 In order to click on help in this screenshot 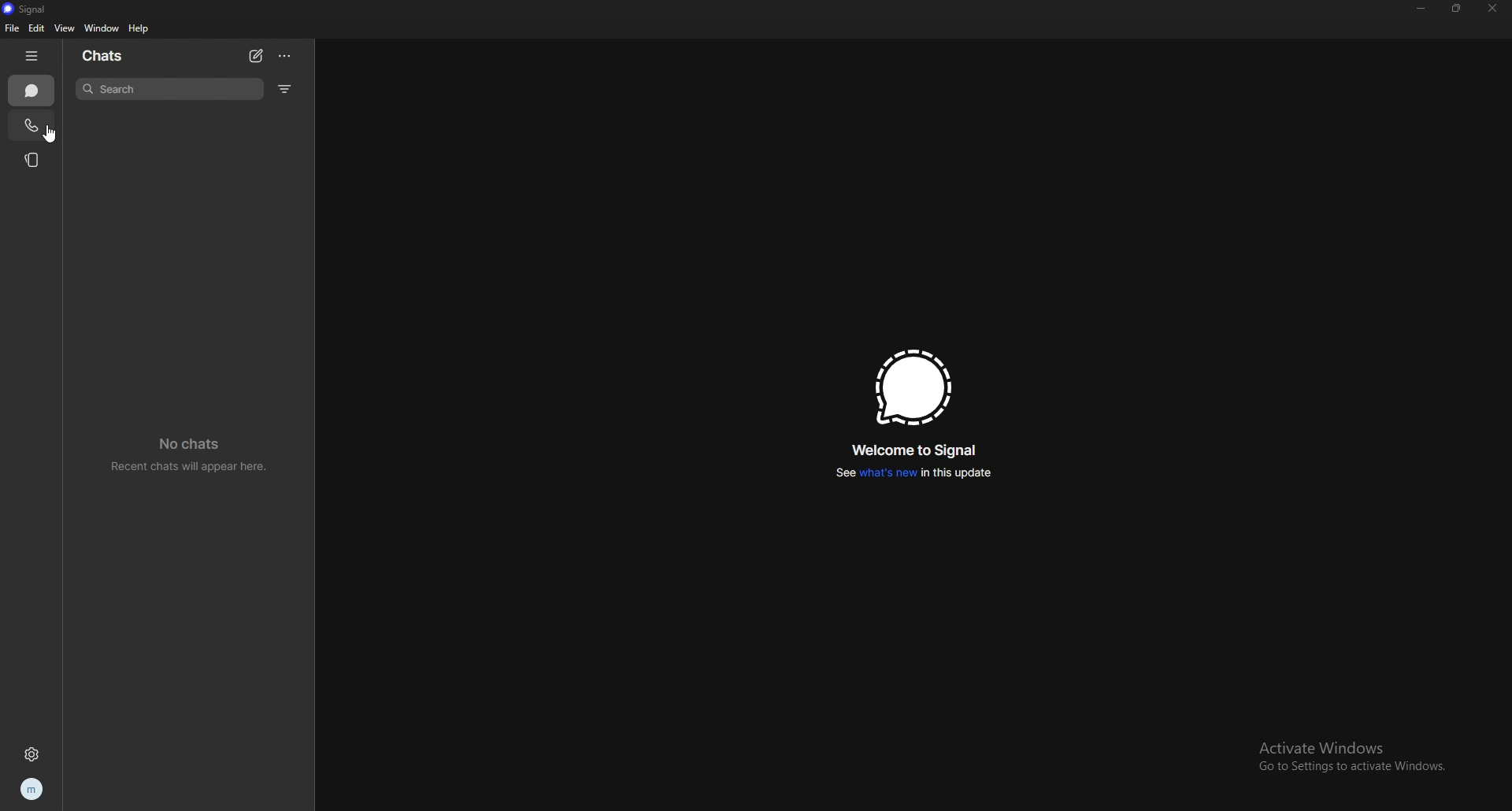, I will do `click(139, 30)`.